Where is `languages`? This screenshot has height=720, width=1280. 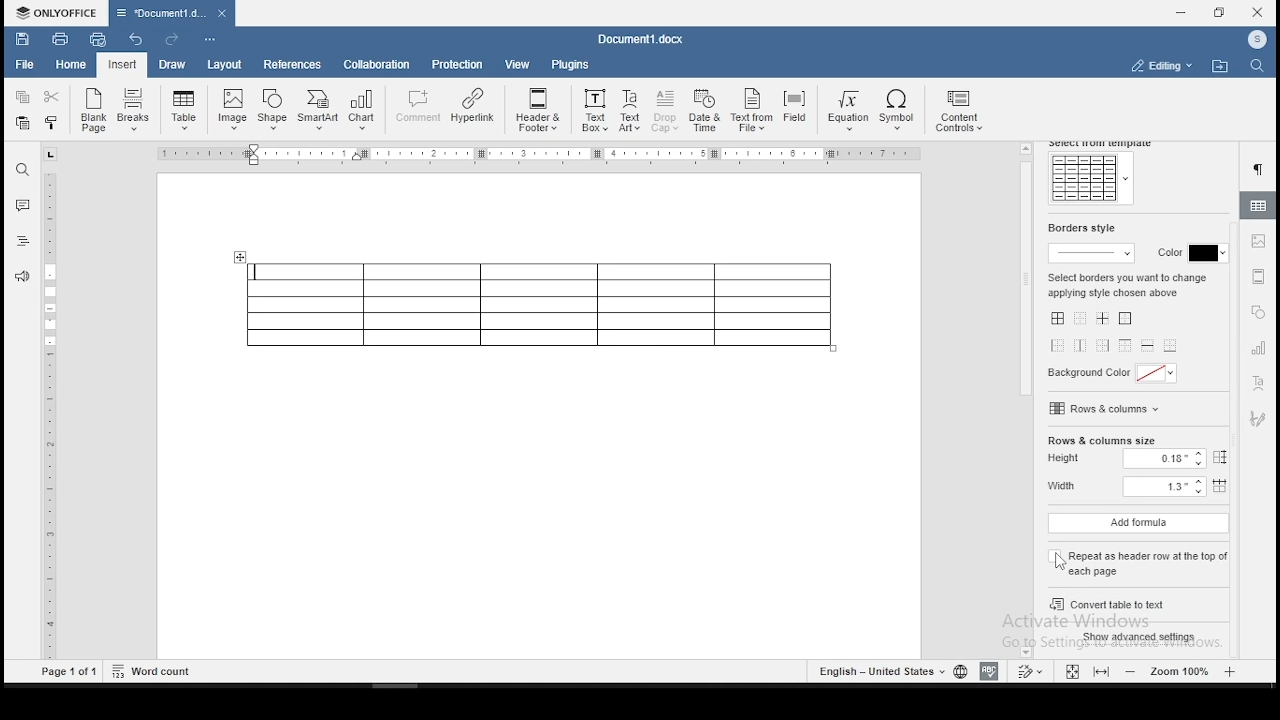 languages is located at coordinates (889, 670).